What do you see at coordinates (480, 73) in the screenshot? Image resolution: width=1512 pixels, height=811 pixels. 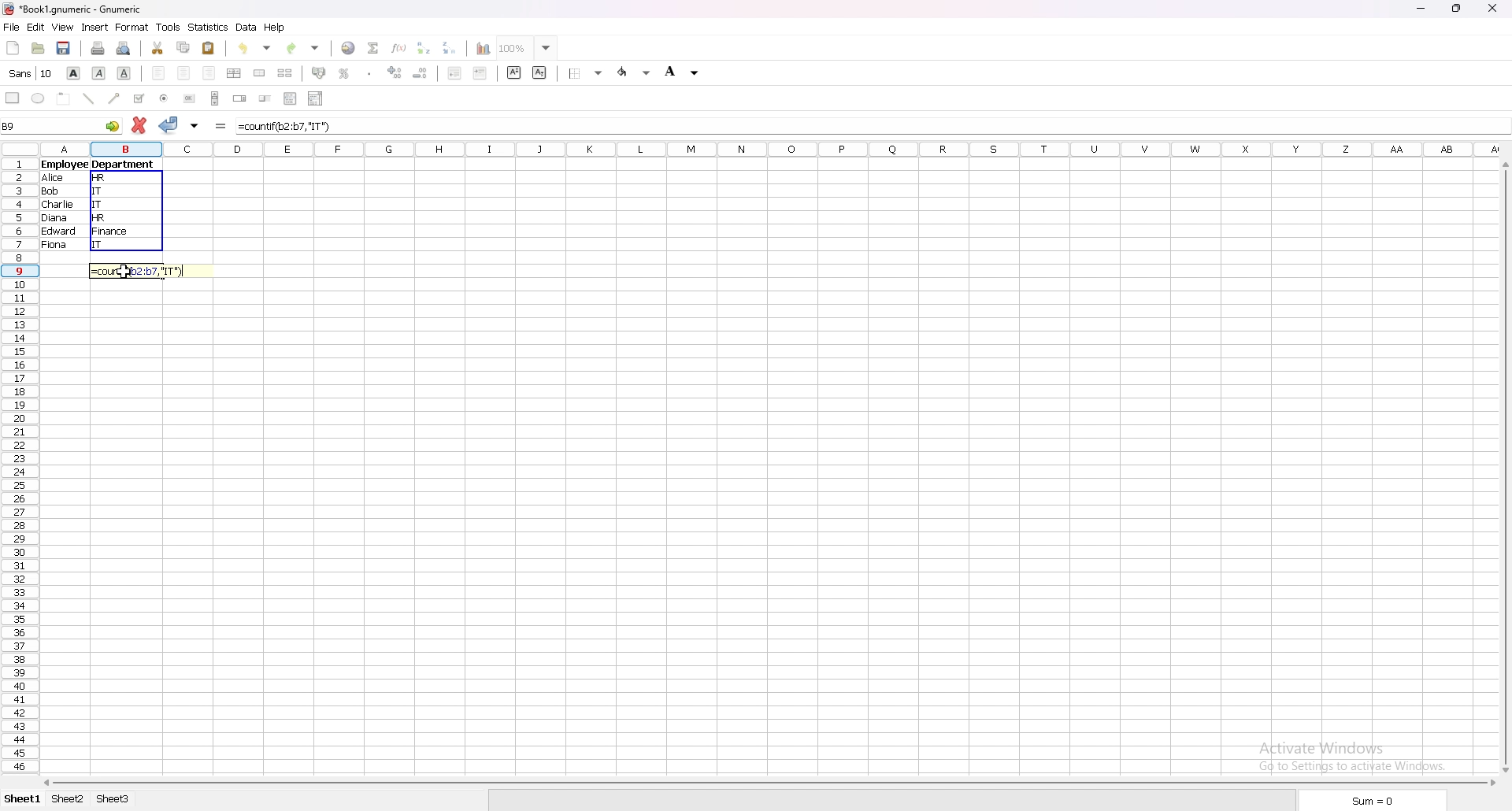 I see `increase indent` at bounding box center [480, 73].